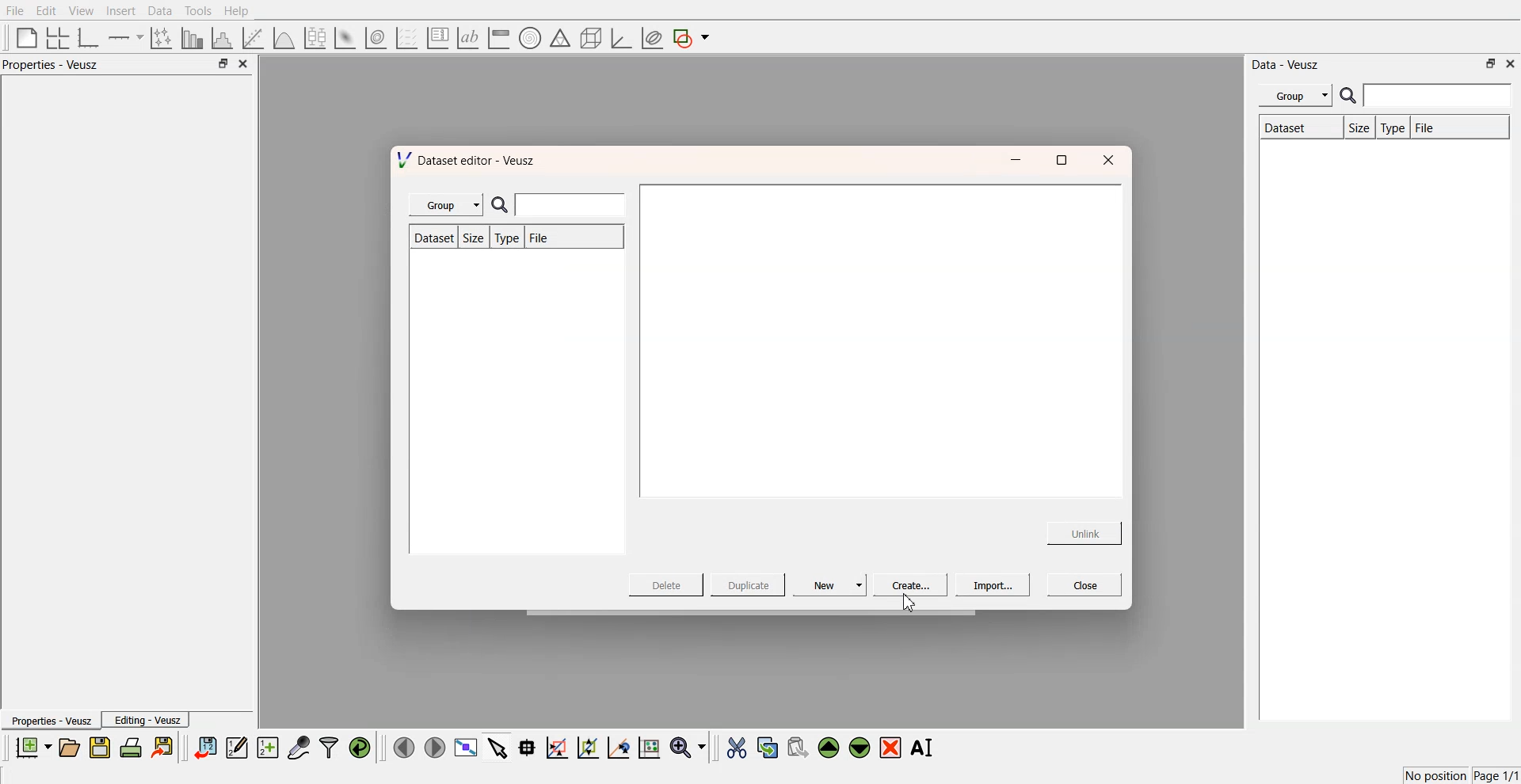 The image size is (1521, 784). What do you see at coordinates (268, 748) in the screenshot?
I see `create new datasets` at bounding box center [268, 748].